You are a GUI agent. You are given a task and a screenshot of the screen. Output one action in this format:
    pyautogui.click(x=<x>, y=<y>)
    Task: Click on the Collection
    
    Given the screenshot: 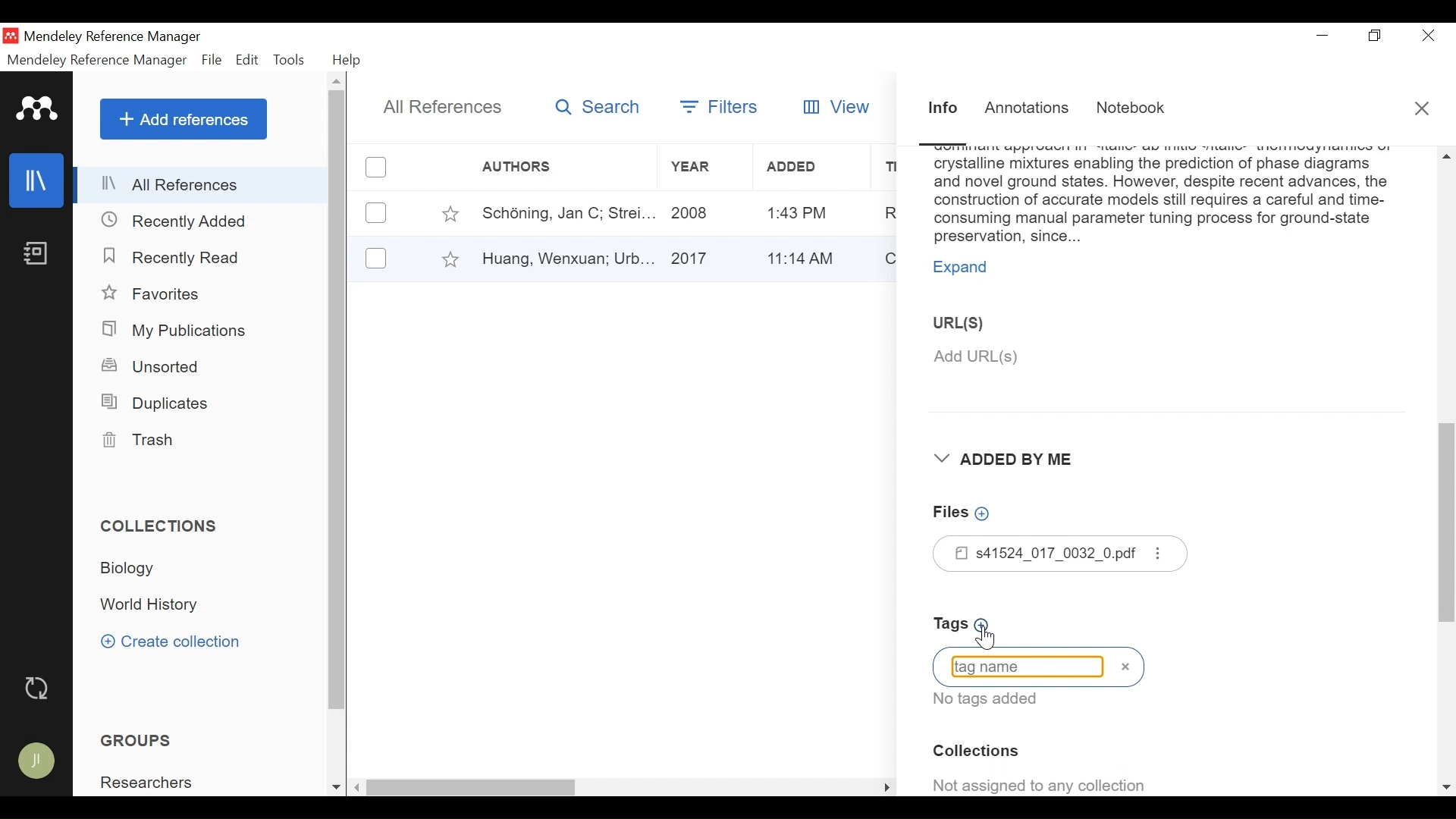 What is the action you would take?
    pyautogui.click(x=133, y=568)
    